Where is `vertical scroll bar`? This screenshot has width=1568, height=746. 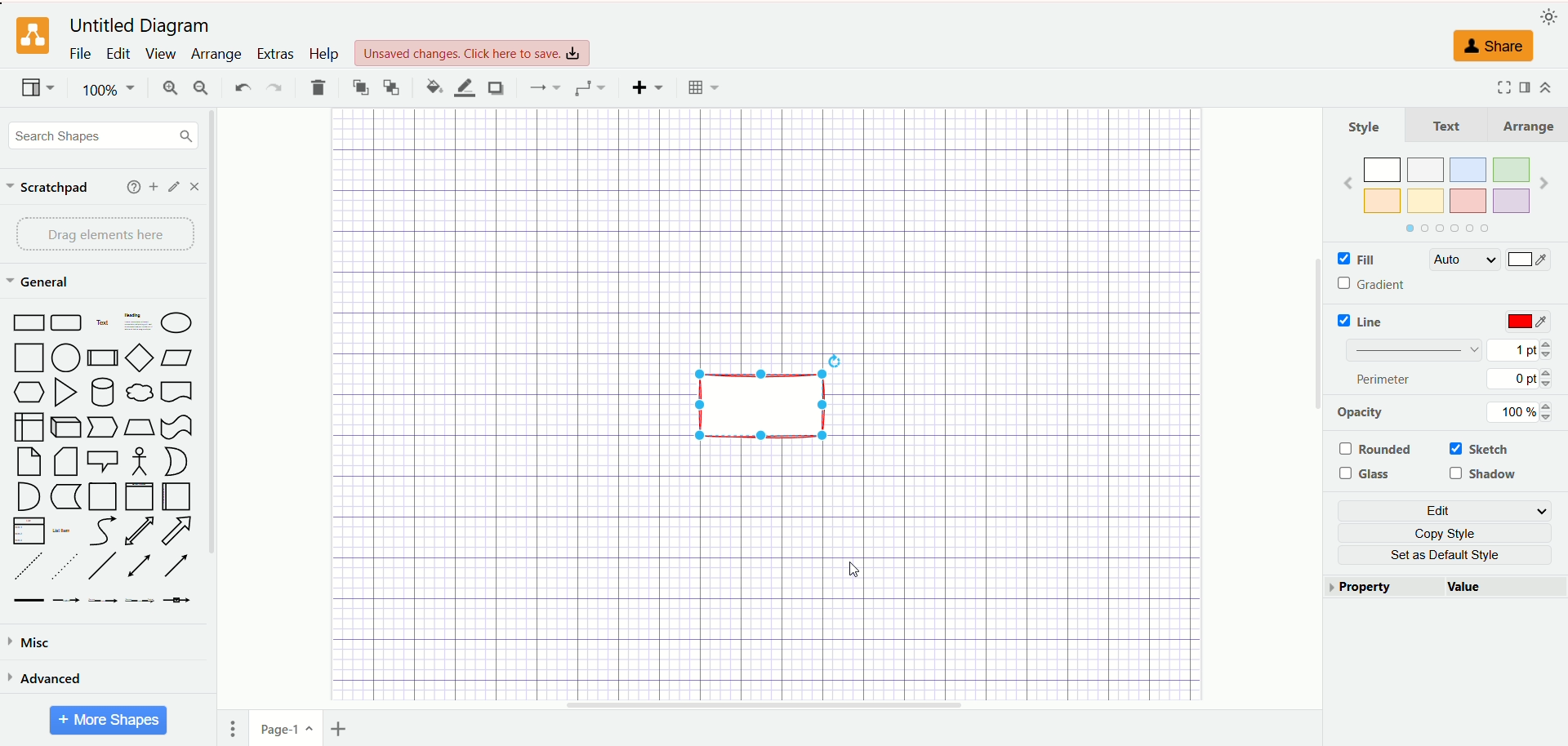
vertical scroll bar is located at coordinates (1317, 409).